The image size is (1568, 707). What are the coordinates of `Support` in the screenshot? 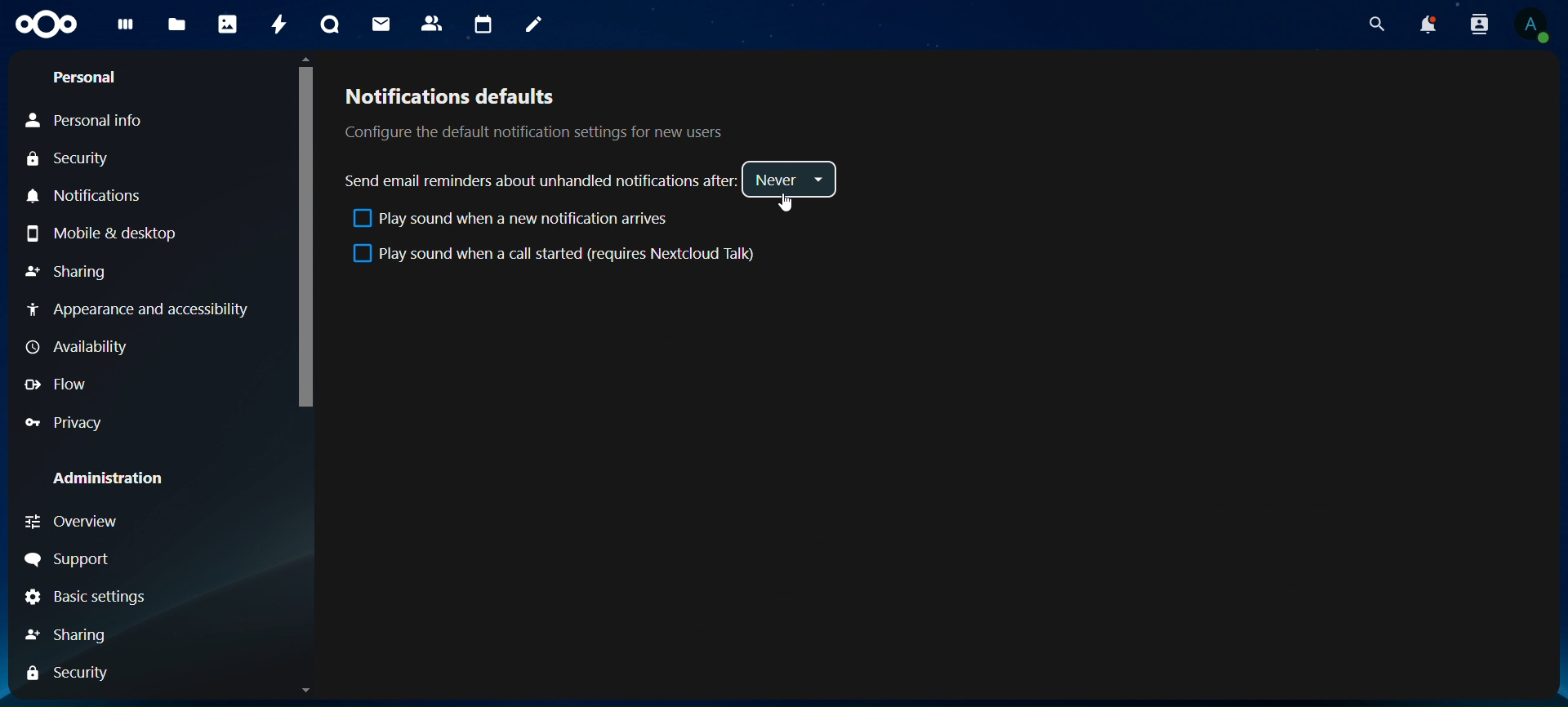 It's located at (68, 559).